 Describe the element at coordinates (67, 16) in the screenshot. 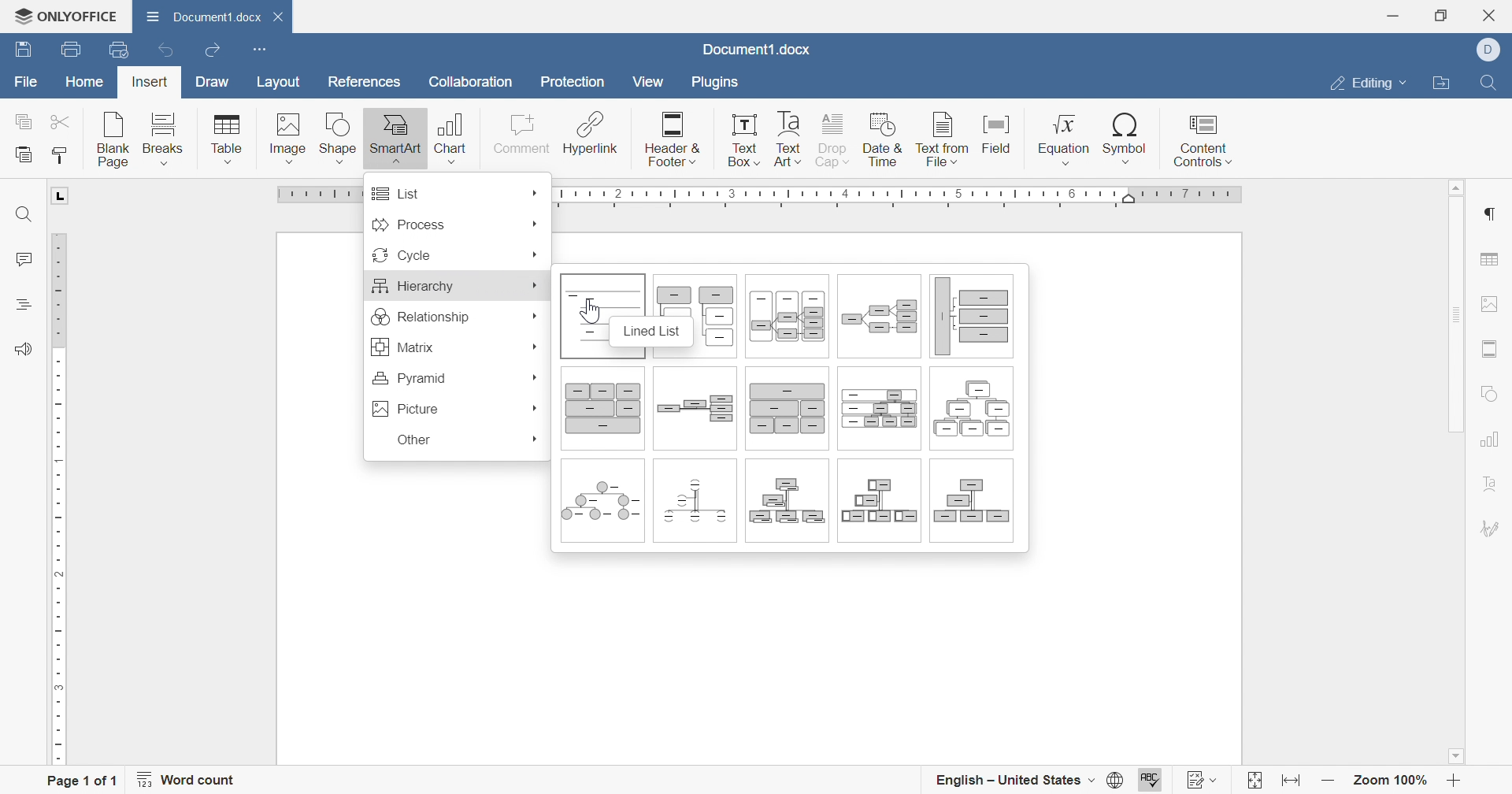

I see `ONLYOFFICE` at that location.